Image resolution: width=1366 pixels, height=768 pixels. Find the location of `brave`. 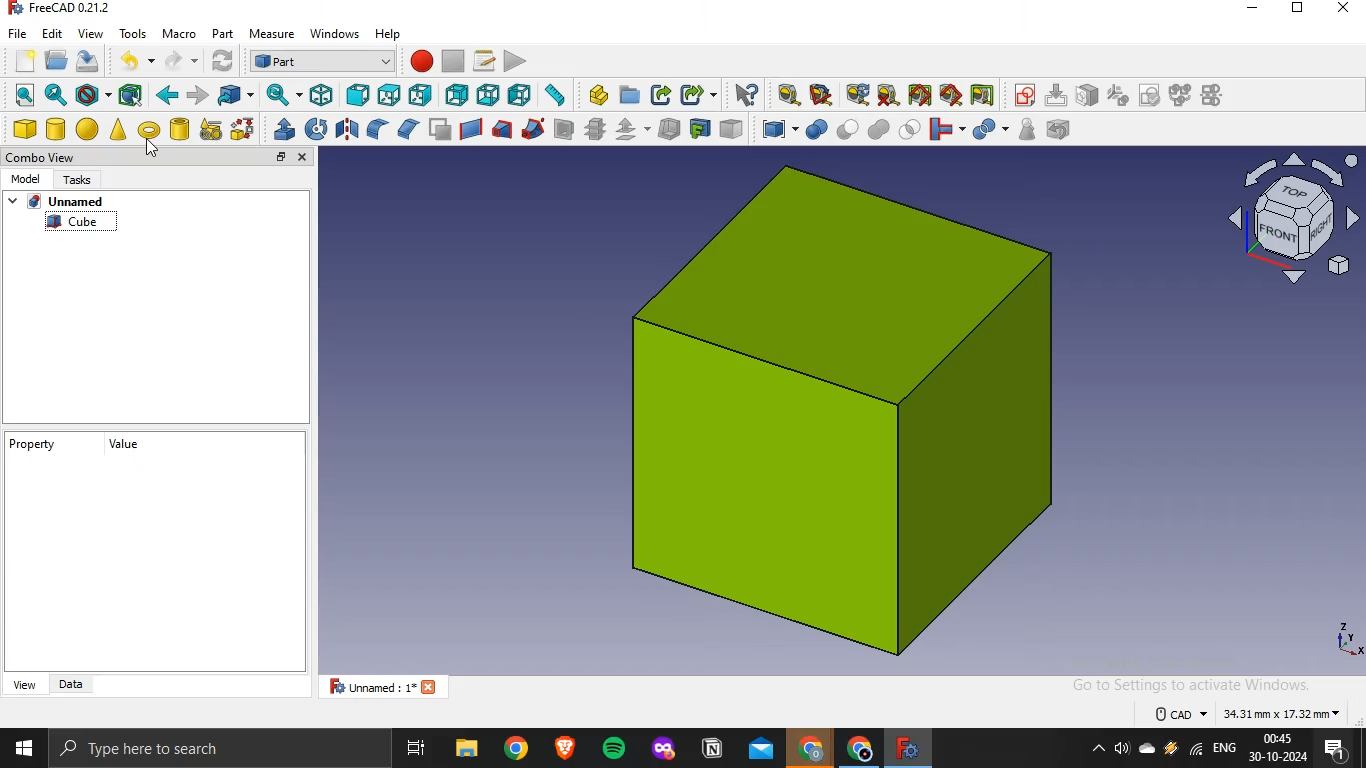

brave is located at coordinates (565, 748).